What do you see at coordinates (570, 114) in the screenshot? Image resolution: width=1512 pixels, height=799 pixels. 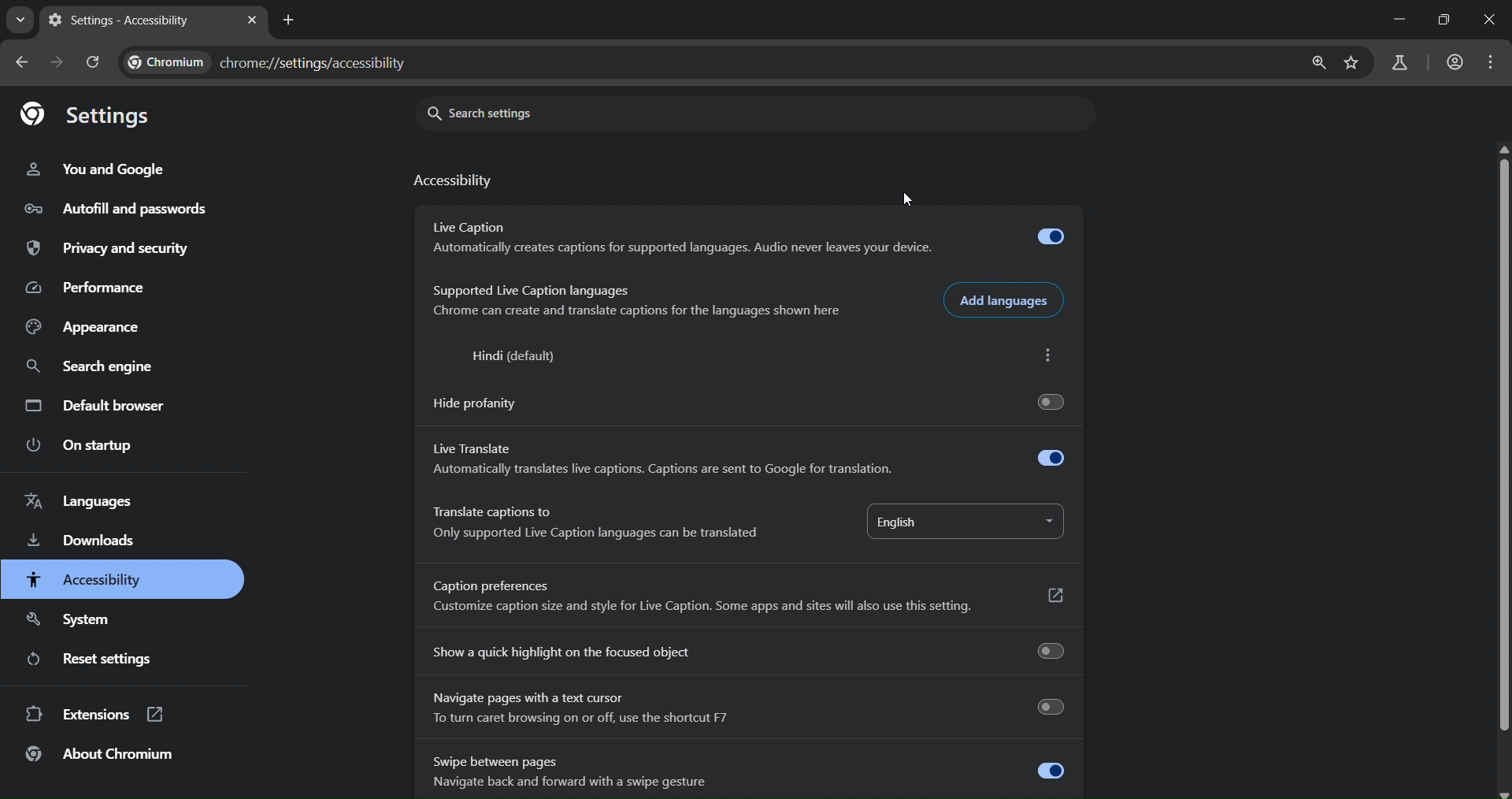 I see `search settings` at bounding box center [570, 114].